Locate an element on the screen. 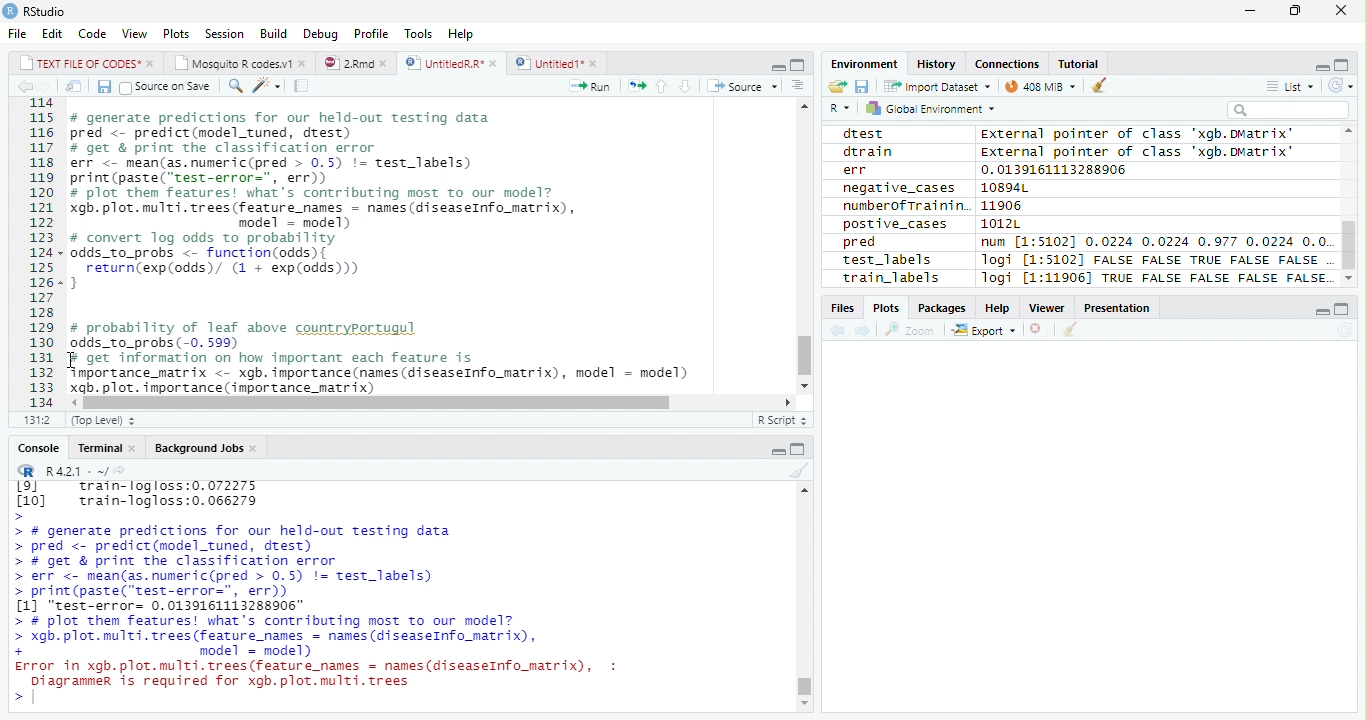  Scroll is located at coordinates (805, 596).